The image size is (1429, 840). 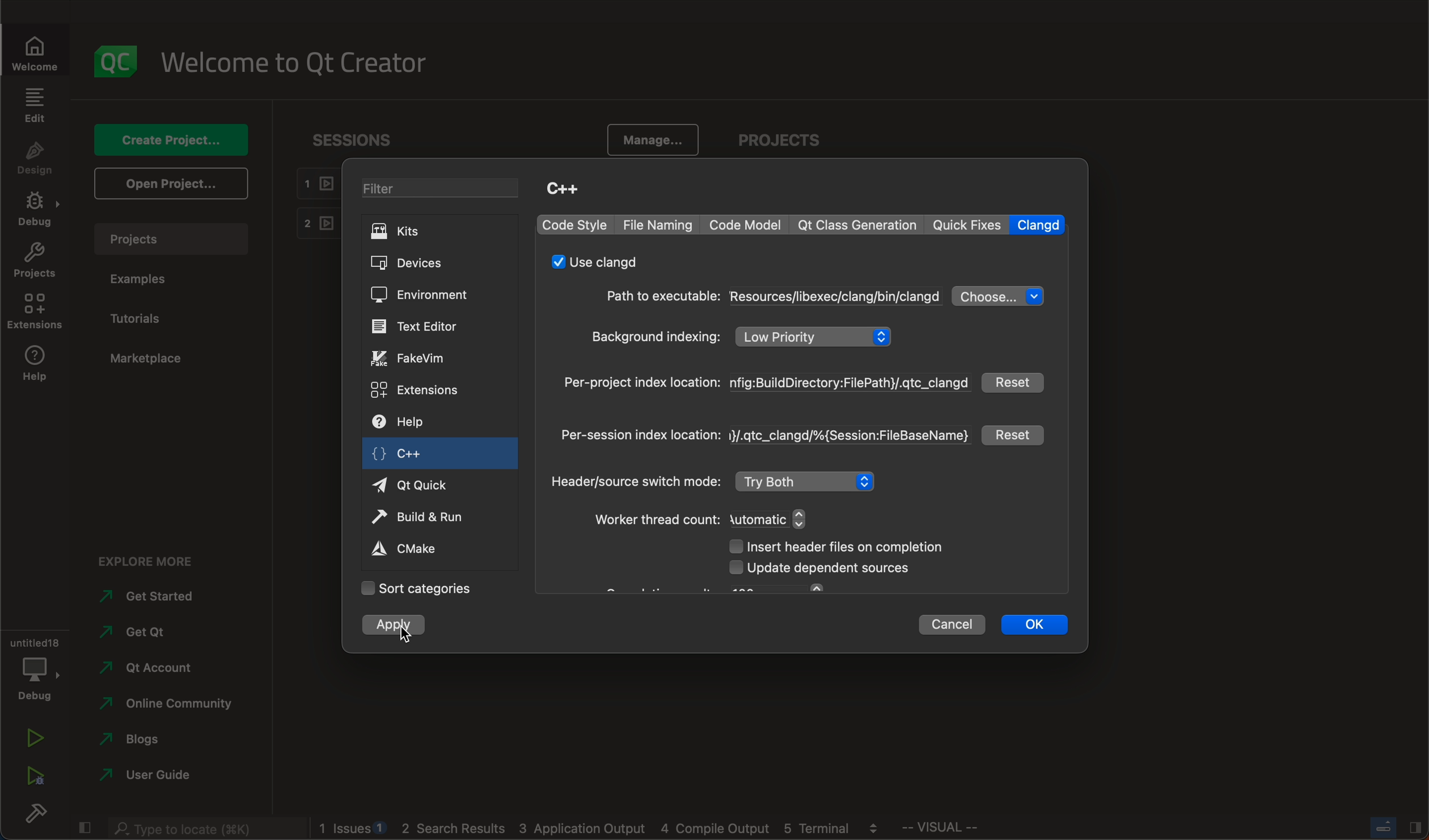 What do you see at coordinates (568, 191) in the screenshot?
I see `C++` at bounding box center [568, 191].